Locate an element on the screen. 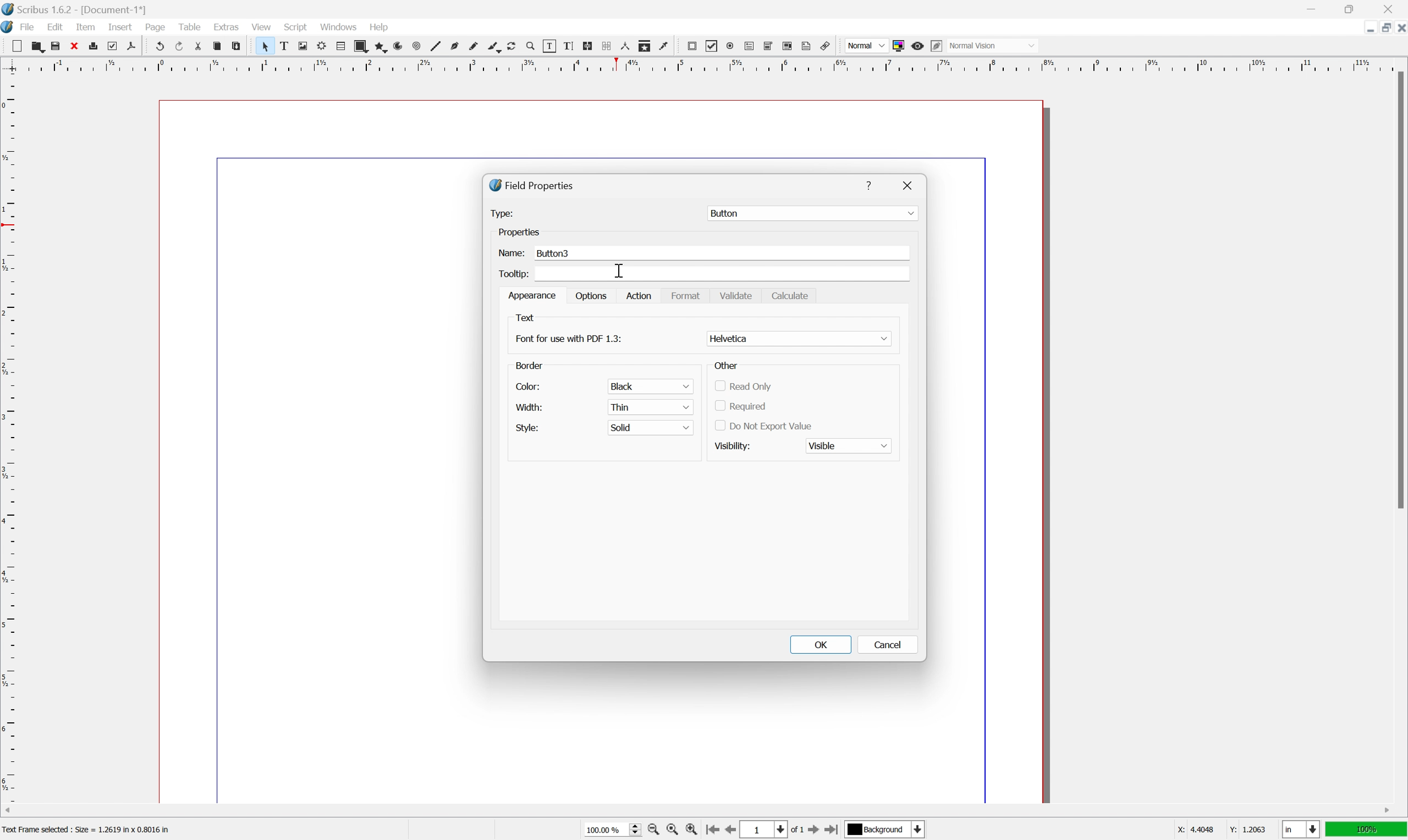 This screenshot has width=1408, height=840. Helvatika is located at coordinates (799, 337).